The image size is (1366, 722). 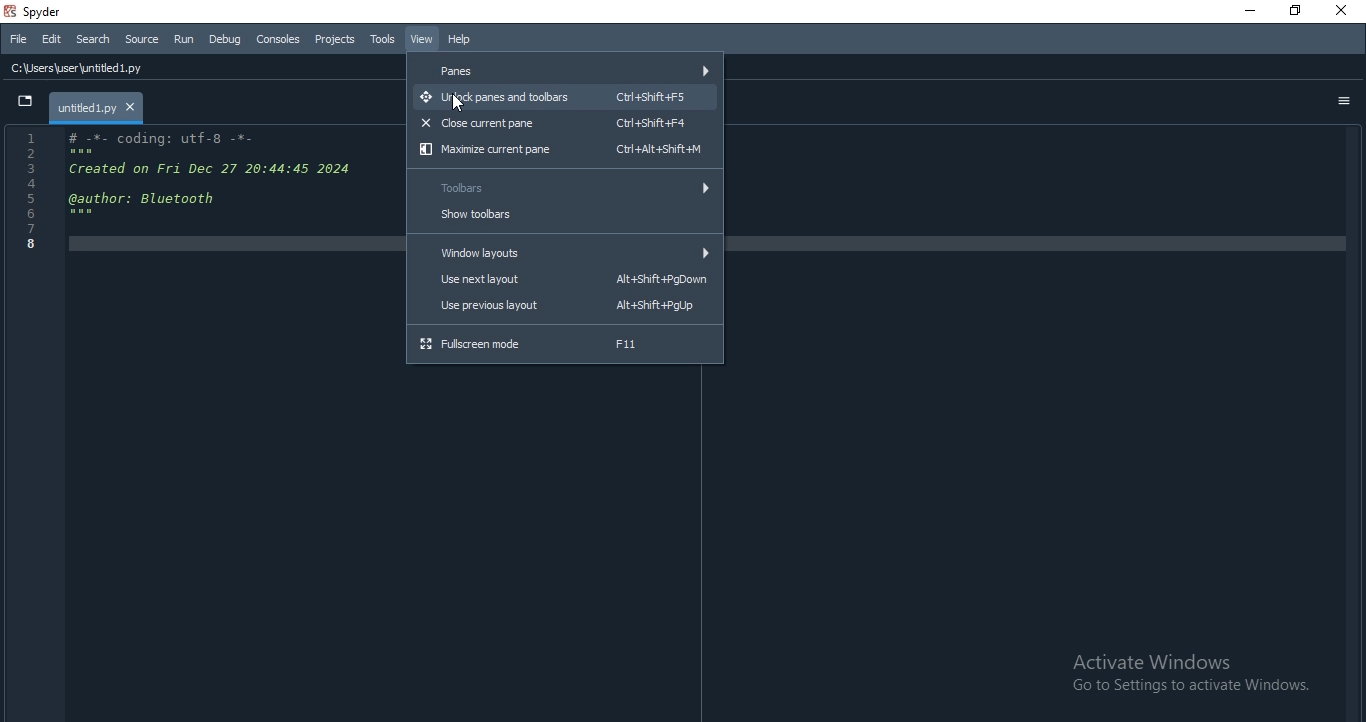 I want to click on unlock panes and windows, so click(x=565, y=97).